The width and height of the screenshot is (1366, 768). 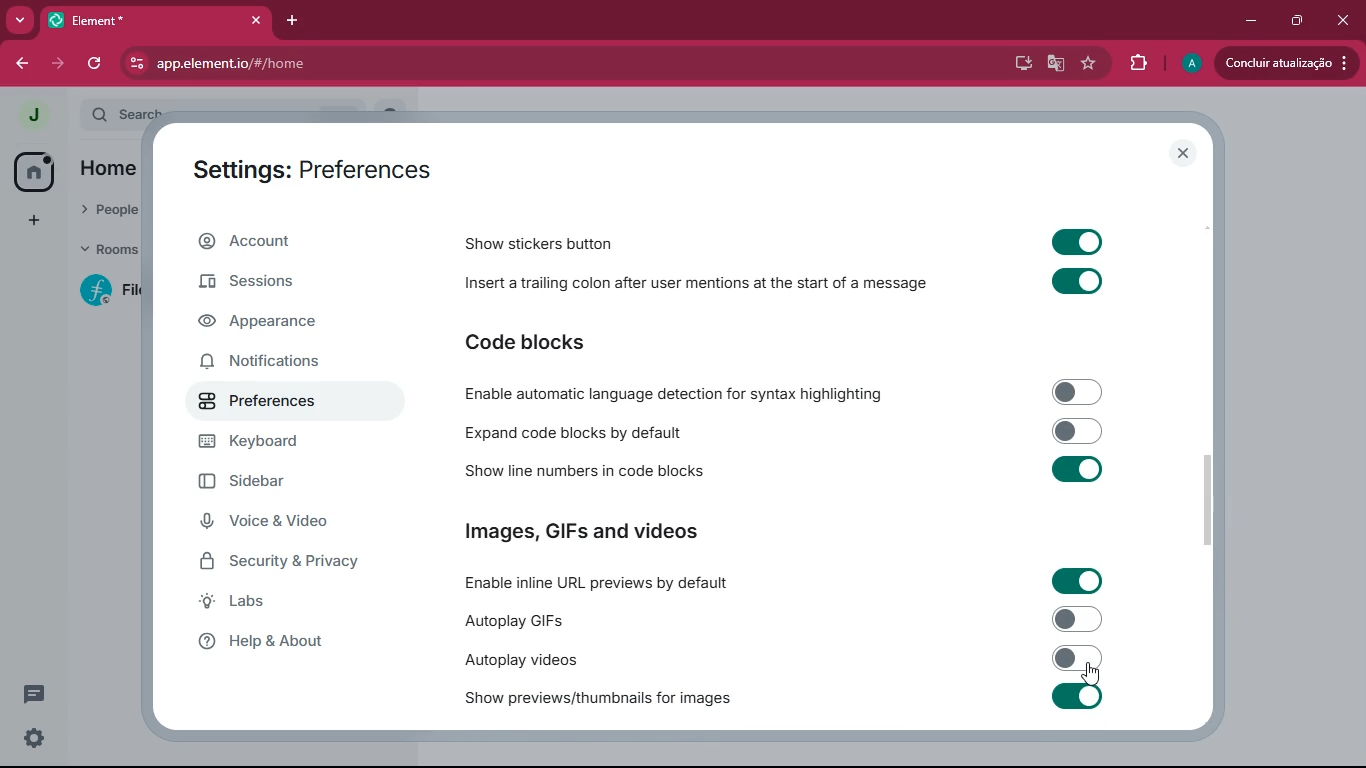 What do you see at coordinates (32, 738) in the screenshot?
I see `settings` at bounding box center [32, 738].